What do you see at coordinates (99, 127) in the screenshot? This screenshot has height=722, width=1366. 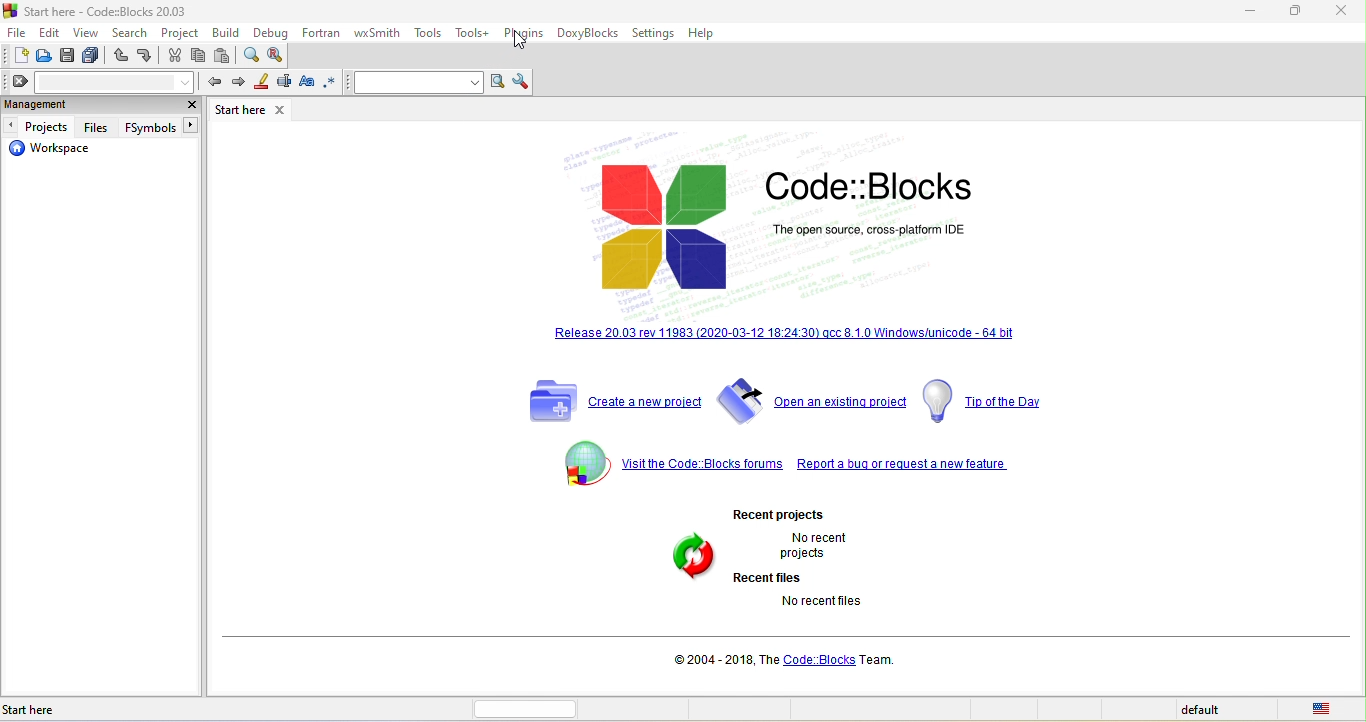 I see `files` at bounding box center [99, 127].